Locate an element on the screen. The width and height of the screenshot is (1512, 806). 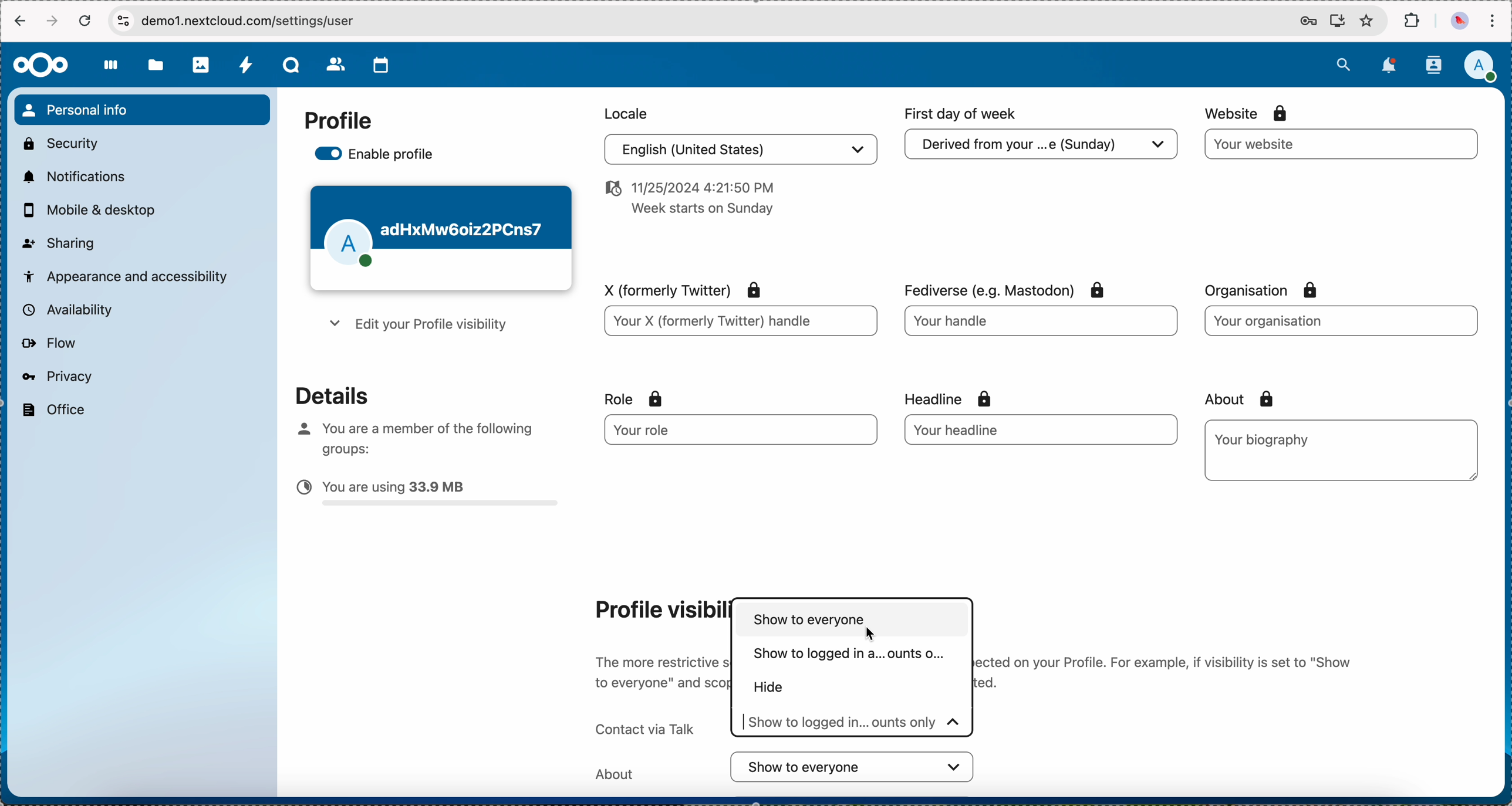
navigate back is located at coordinates (18, 23).